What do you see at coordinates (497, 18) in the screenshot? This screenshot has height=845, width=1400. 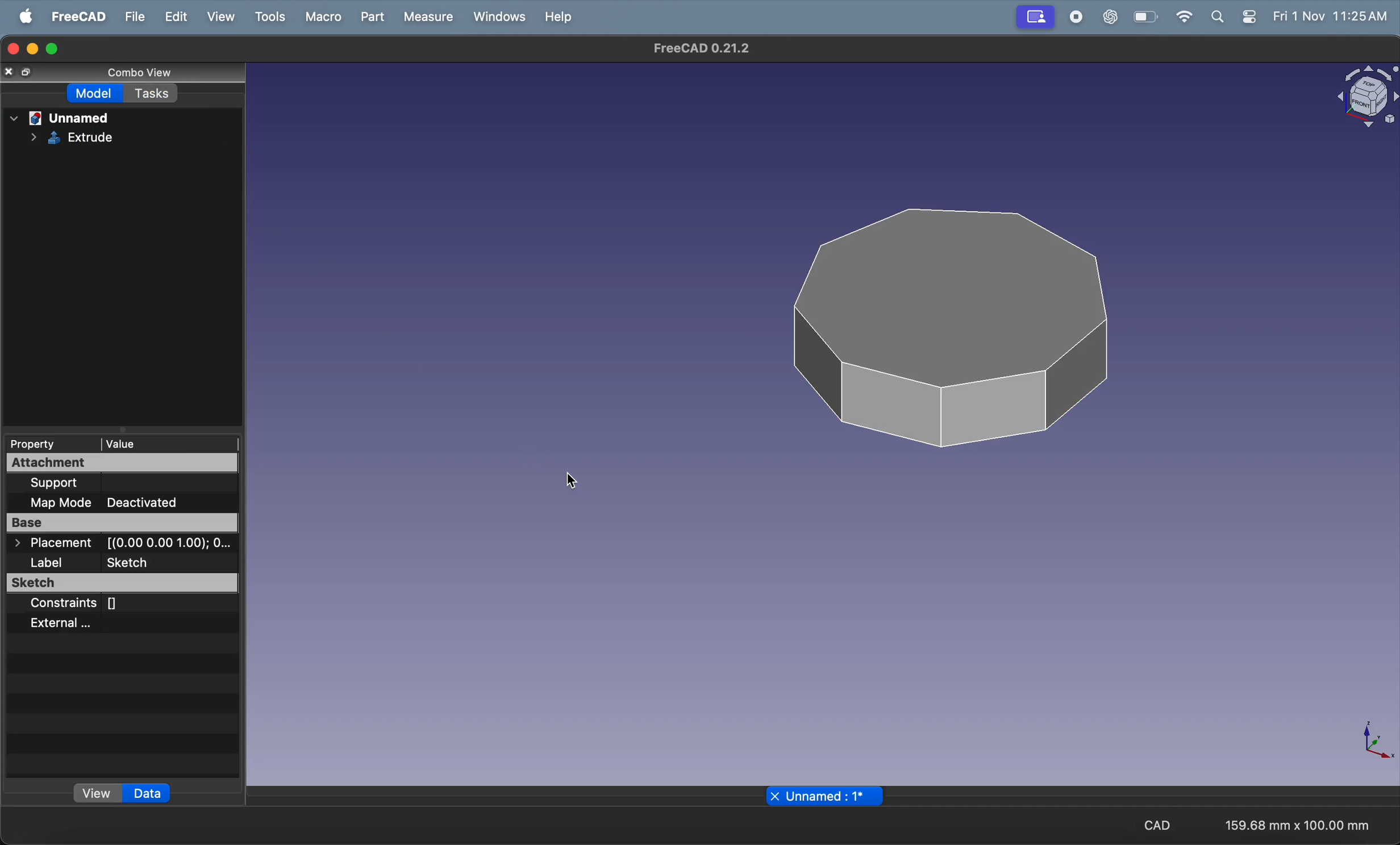 I see `windows` at bounding box center [497, 18].